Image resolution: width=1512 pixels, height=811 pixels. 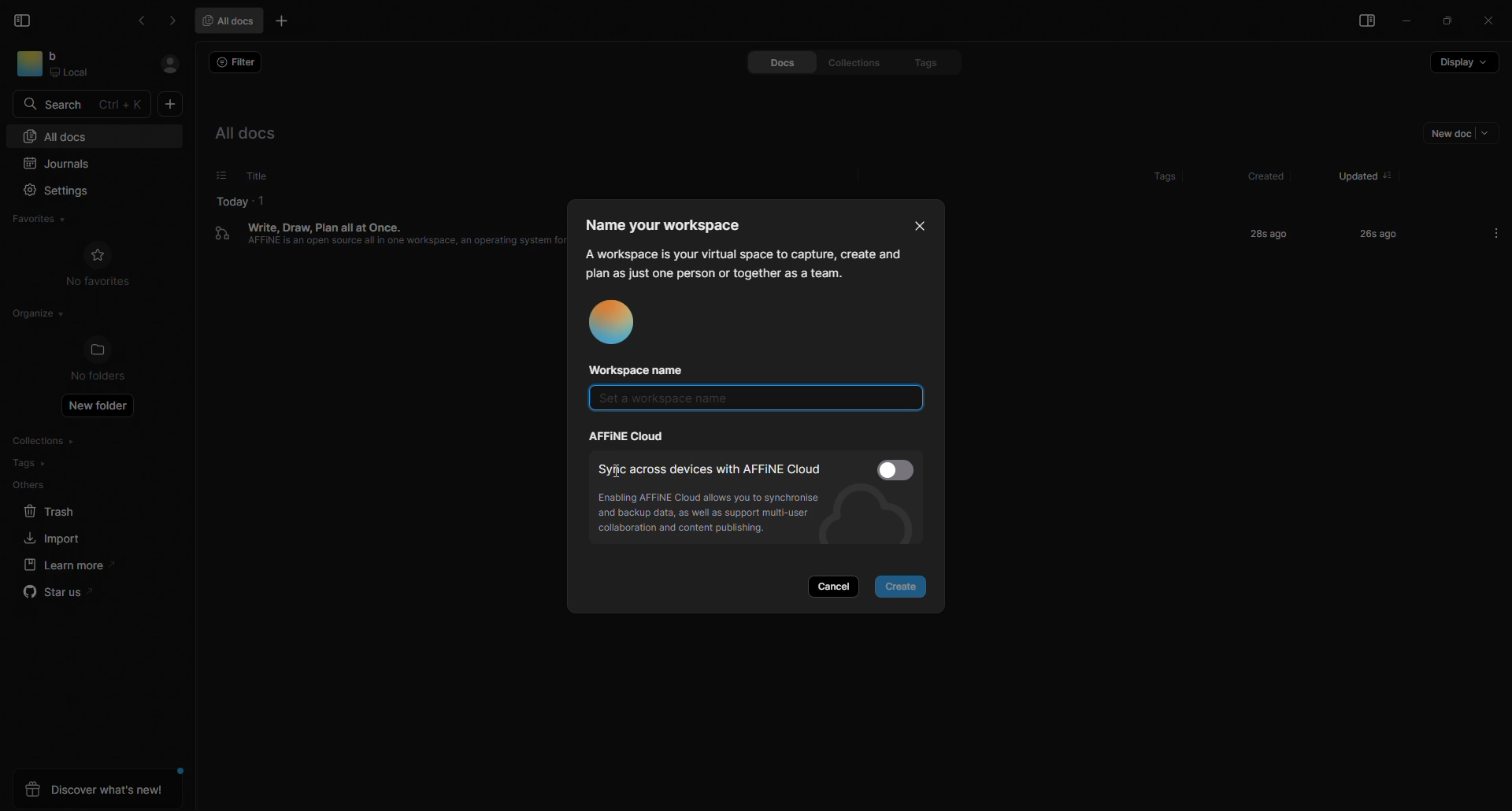 I want to click on go back, so click(x=144, y=20).